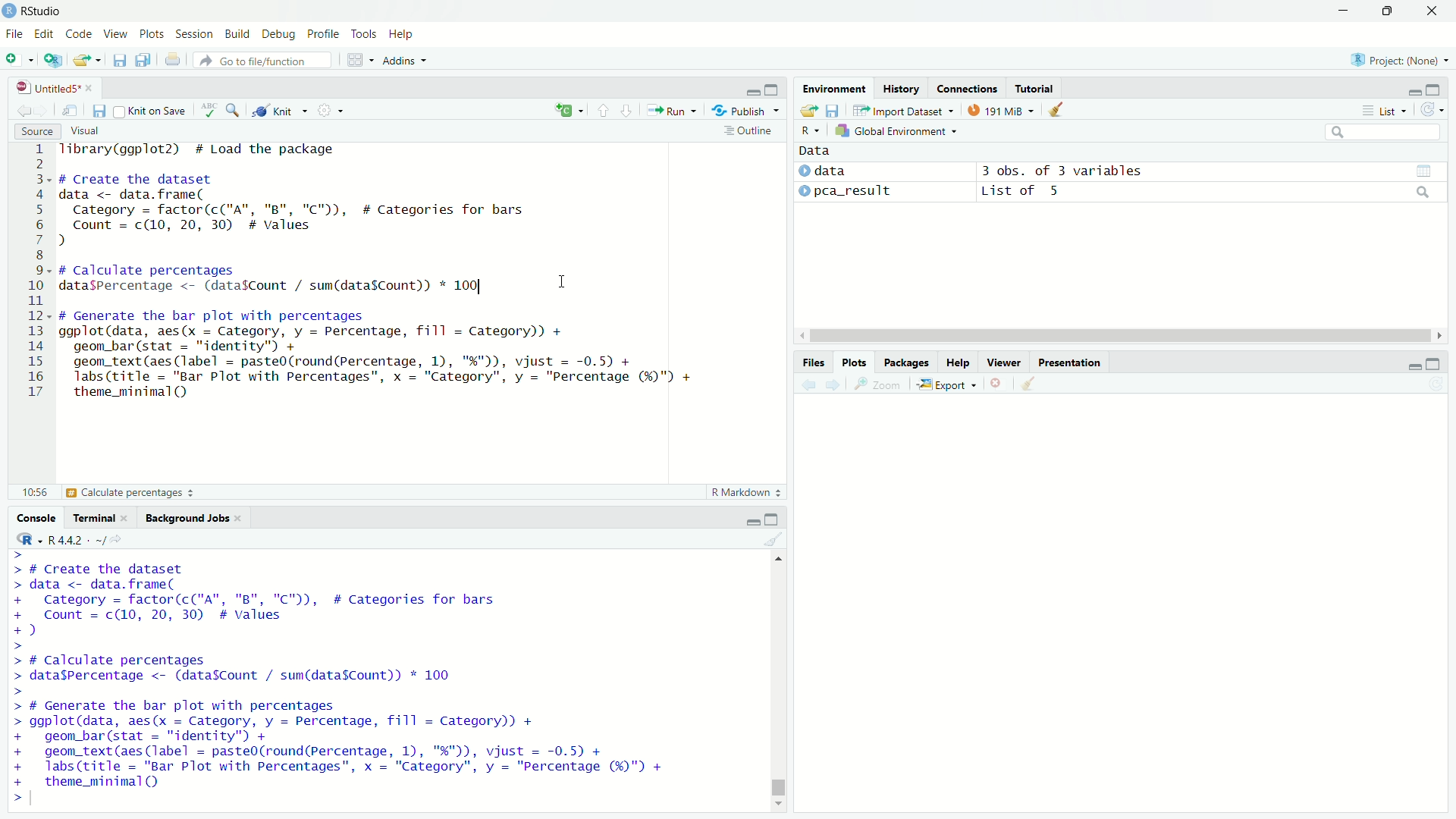 Image resolution: width=1456 pixels, height=819 pixels. Describe the element at coordinates (71, 111) in the screenshot. I see `show in new window` at that location.